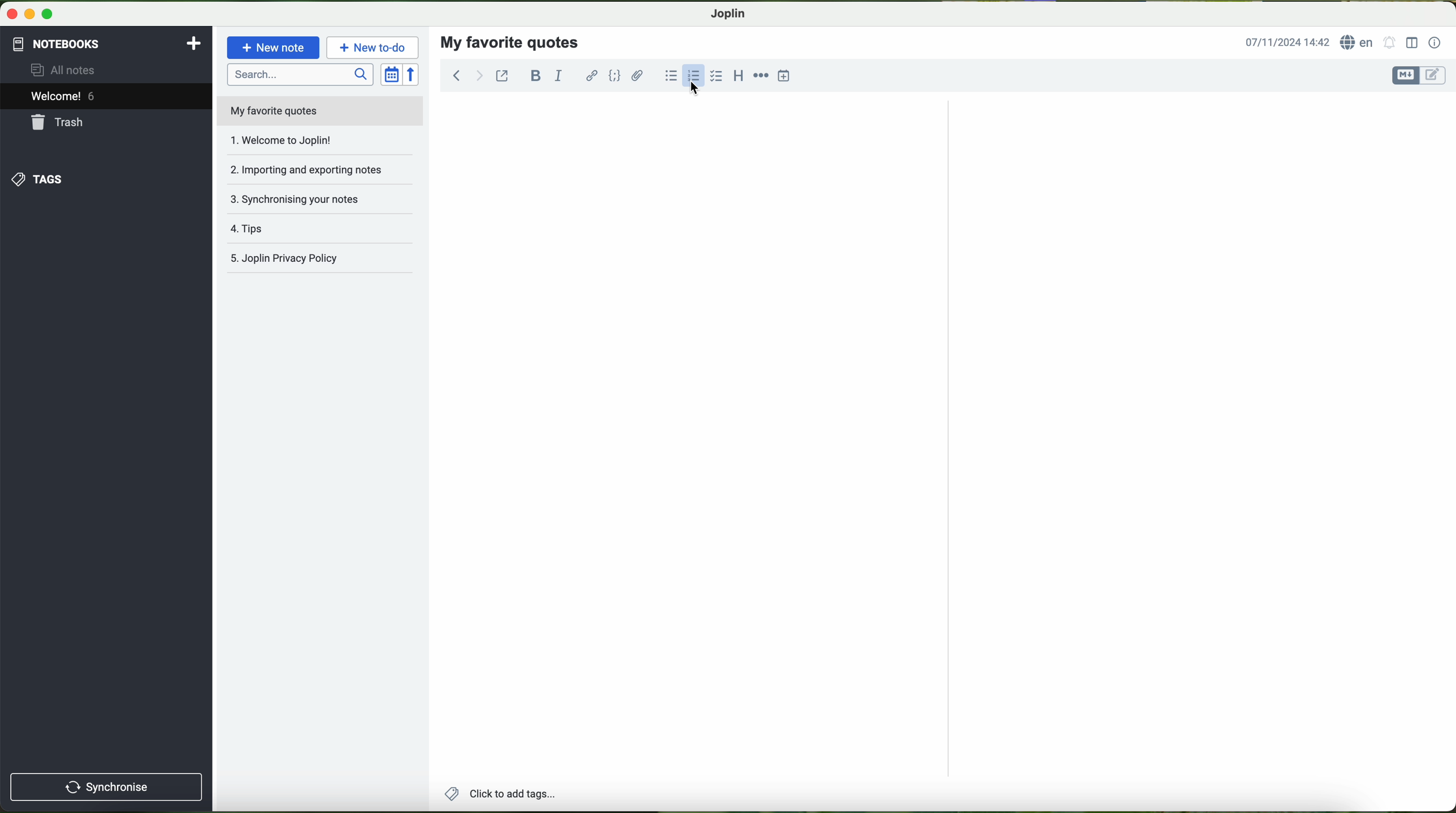  I want to click on set alarm, so click(1389, 45).